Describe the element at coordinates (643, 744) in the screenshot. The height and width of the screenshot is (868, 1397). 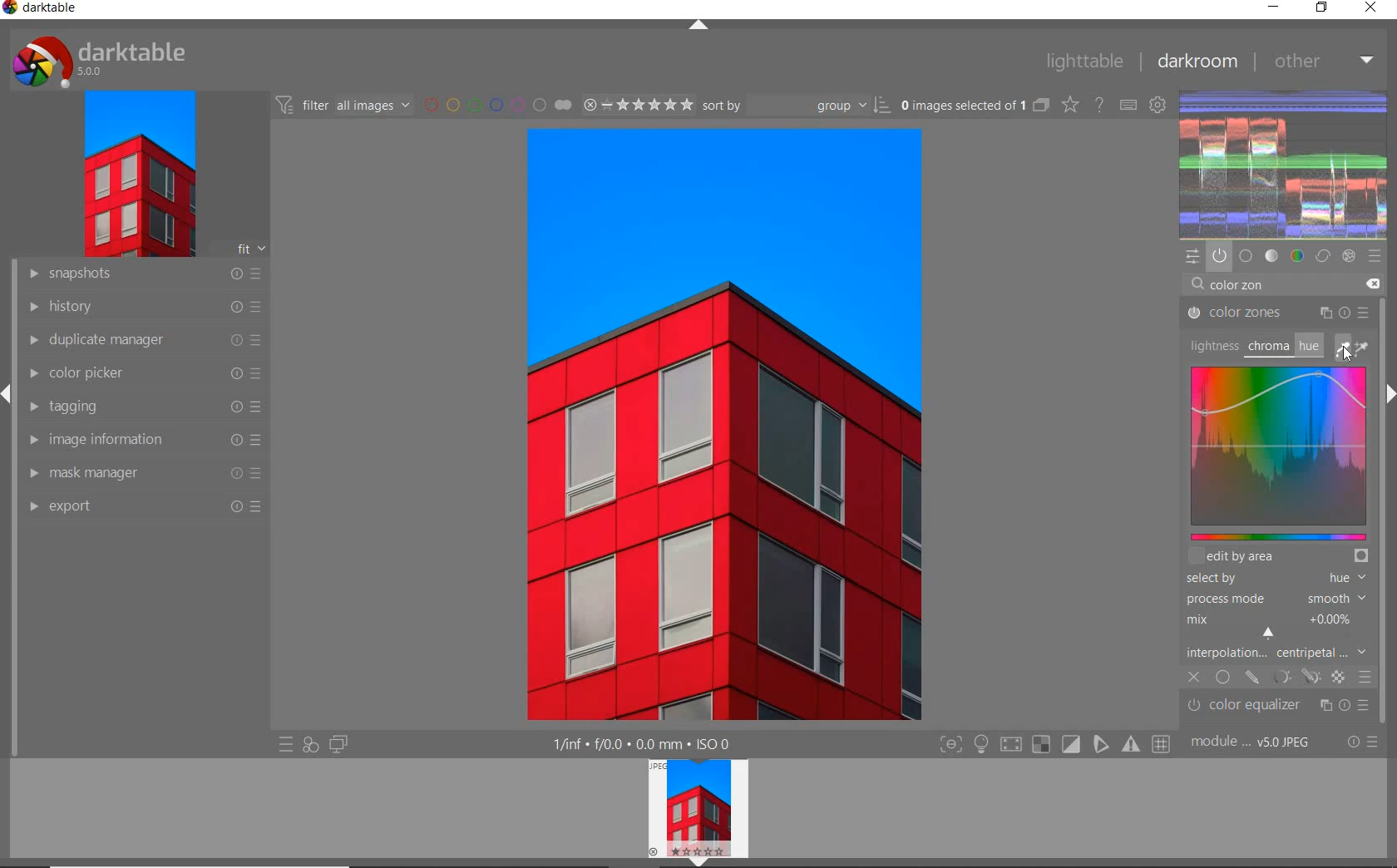
I see `display information` at that location.